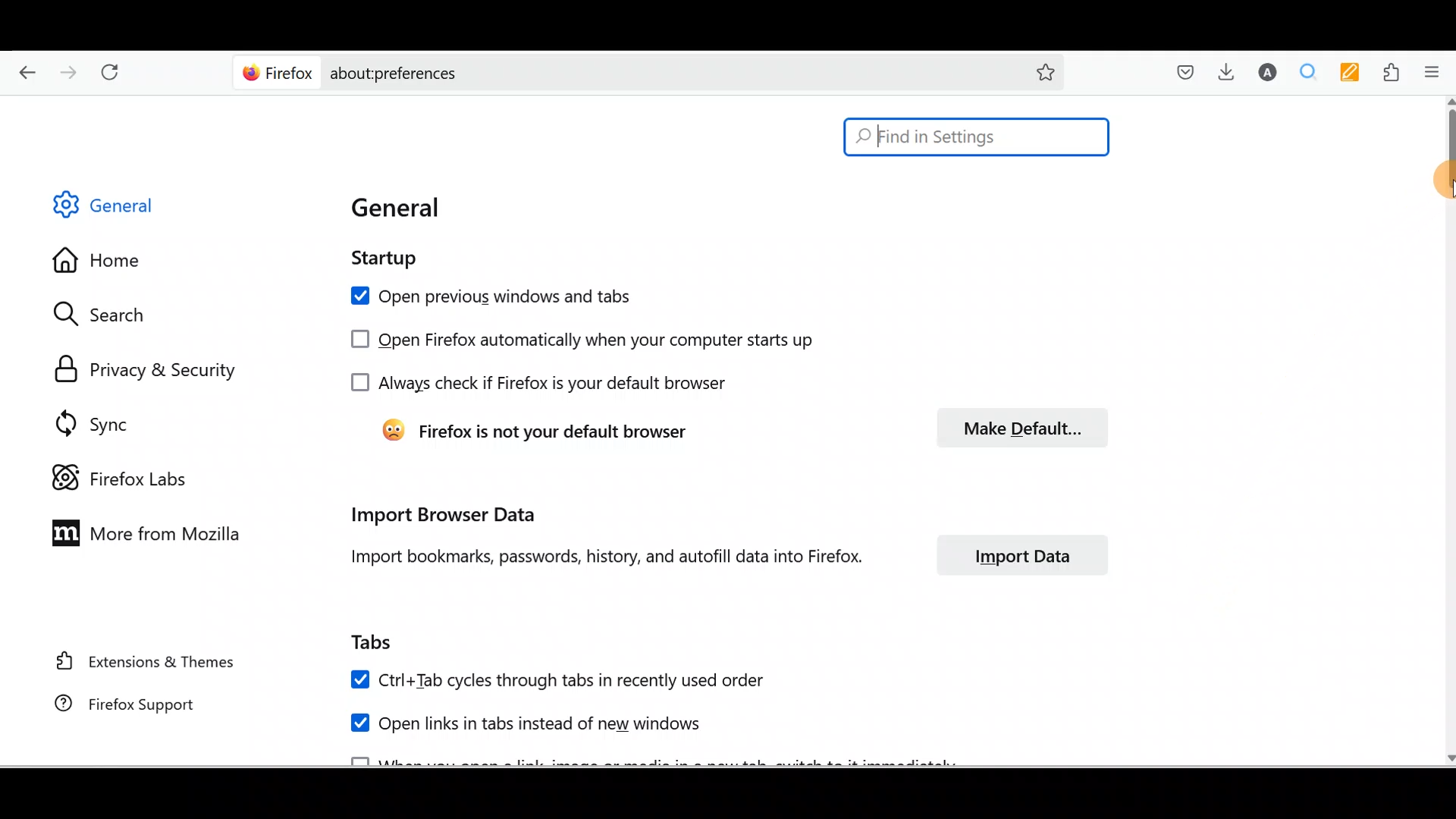 This screenshot has height=819, width=1456. What do you see at coordinates (115, 69) in the screenshot?
I see `Reload current page` at bounding box center [115, 69].